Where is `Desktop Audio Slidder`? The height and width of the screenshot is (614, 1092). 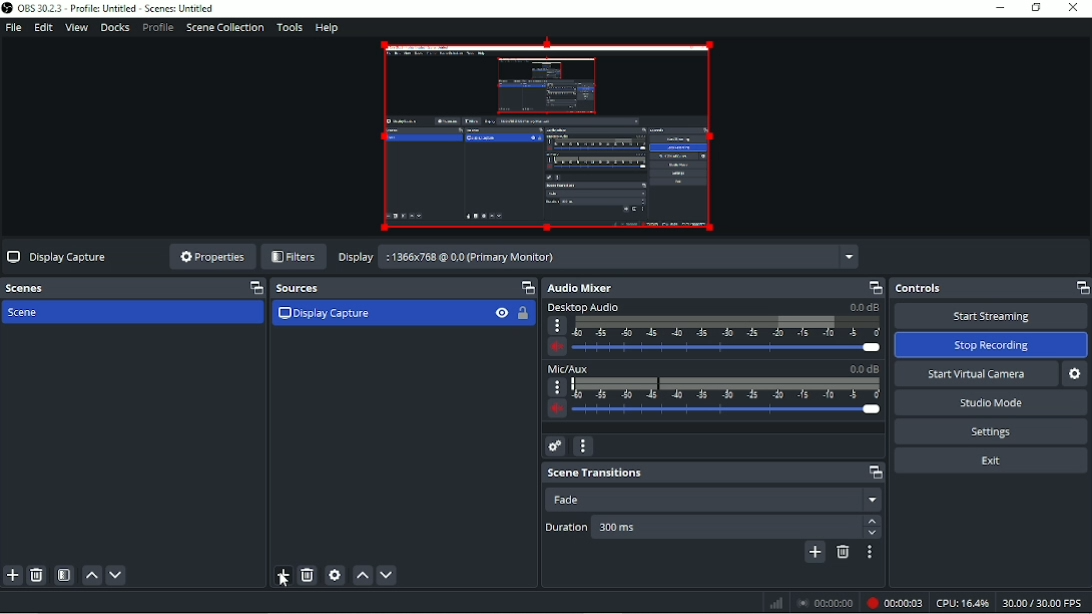
Desktop Audio Slidder is located at coordinates (710, 328).